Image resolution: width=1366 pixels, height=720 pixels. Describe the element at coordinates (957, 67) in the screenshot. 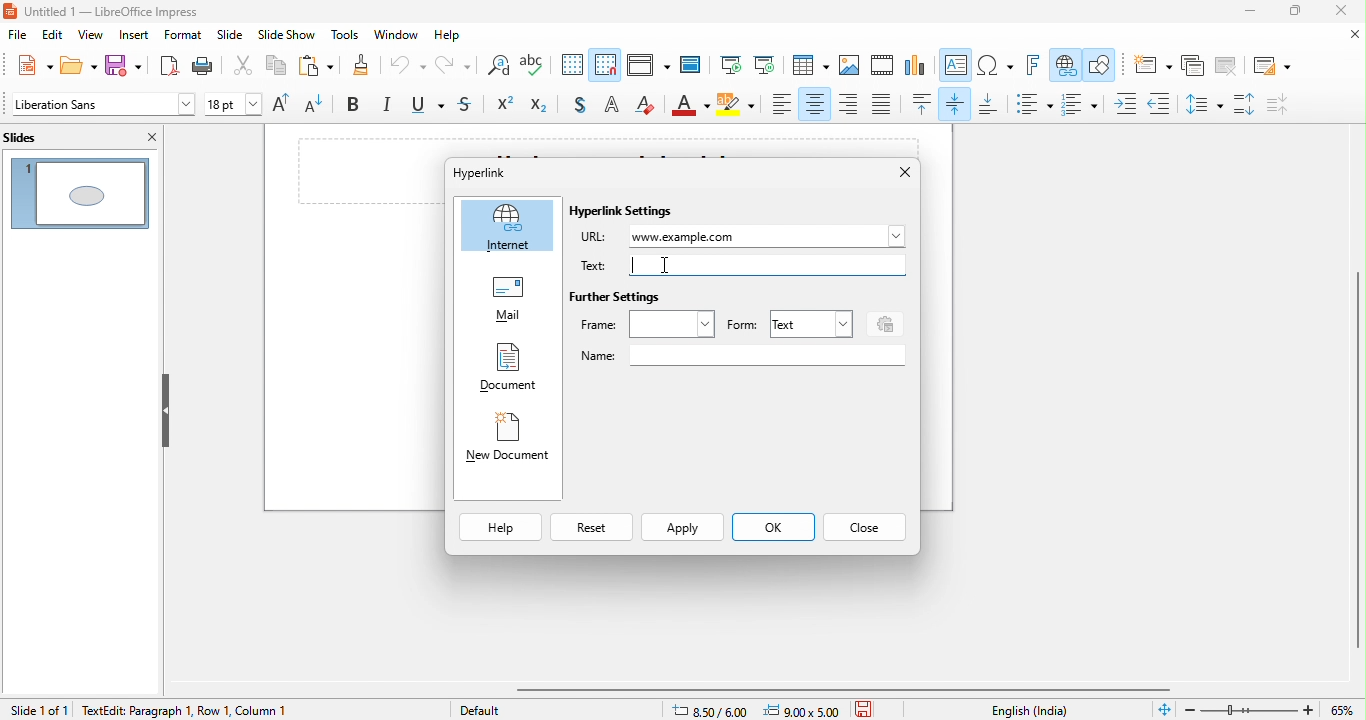

I see `text box` at that location.